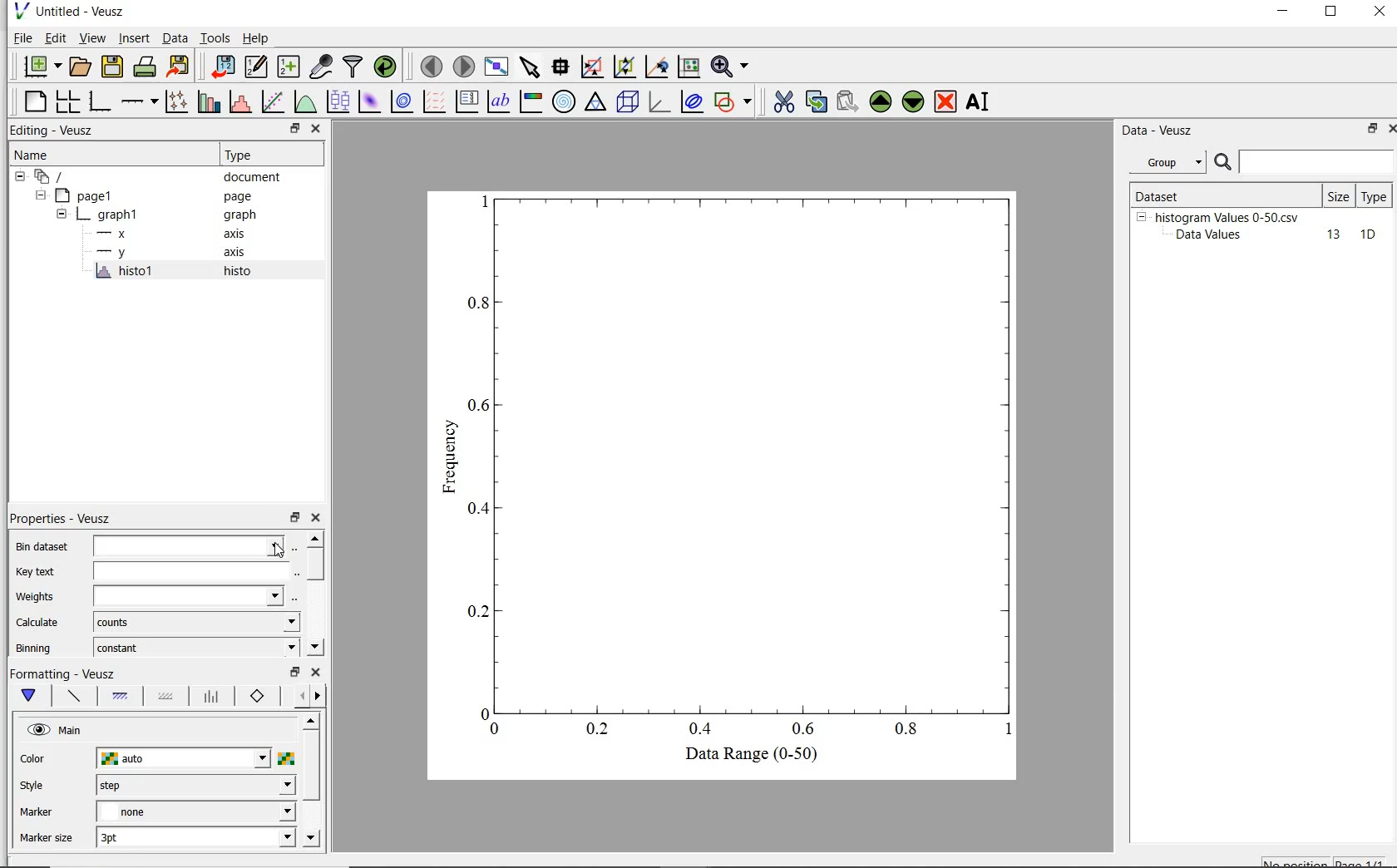 The image size is (1397, 868). Describe the element at coordinates (496, 65) in the screenshot. I see `view plot fullscreen` at that location.